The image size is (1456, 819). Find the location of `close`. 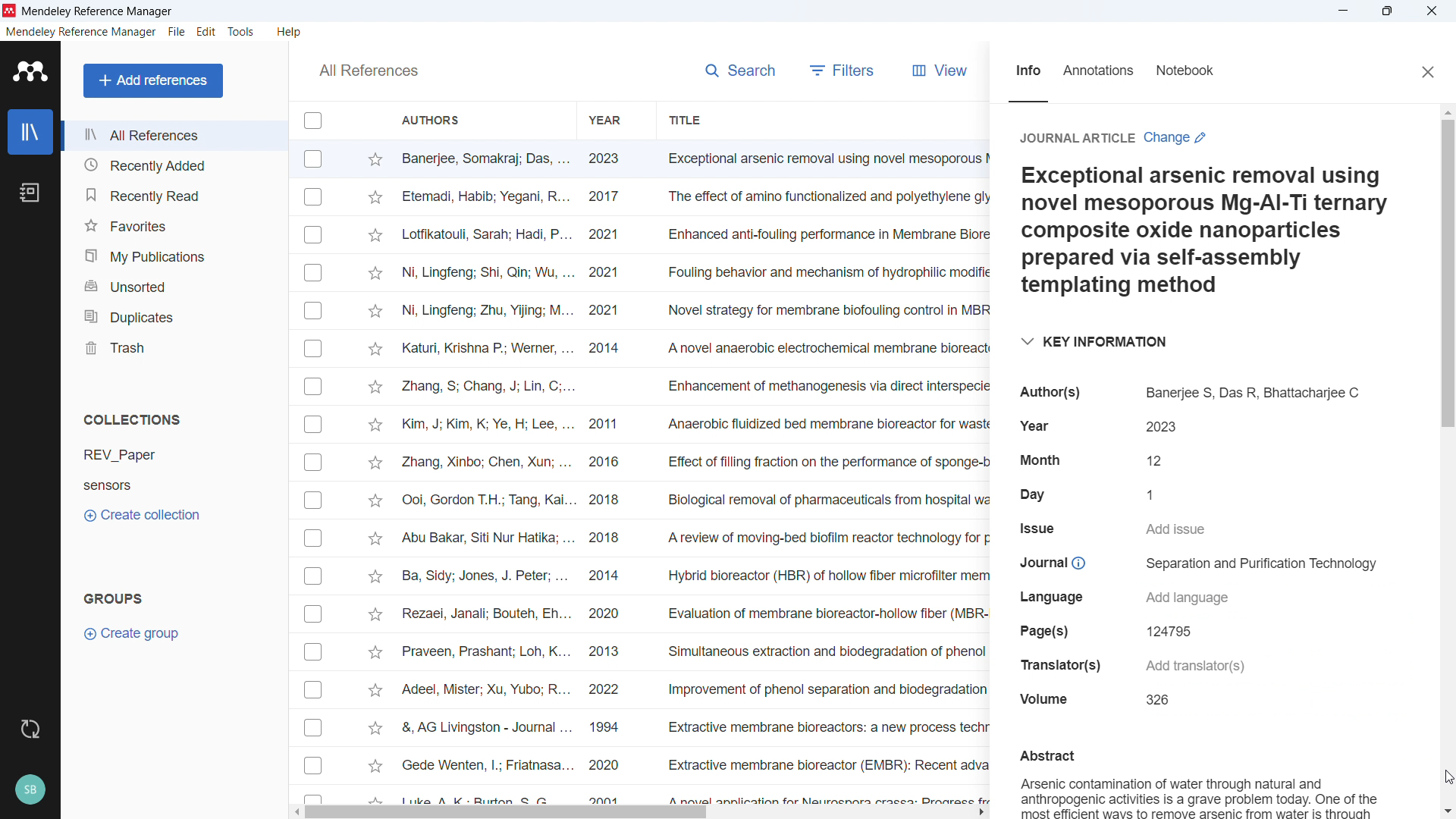

close is located at coordinates (1426, 71).